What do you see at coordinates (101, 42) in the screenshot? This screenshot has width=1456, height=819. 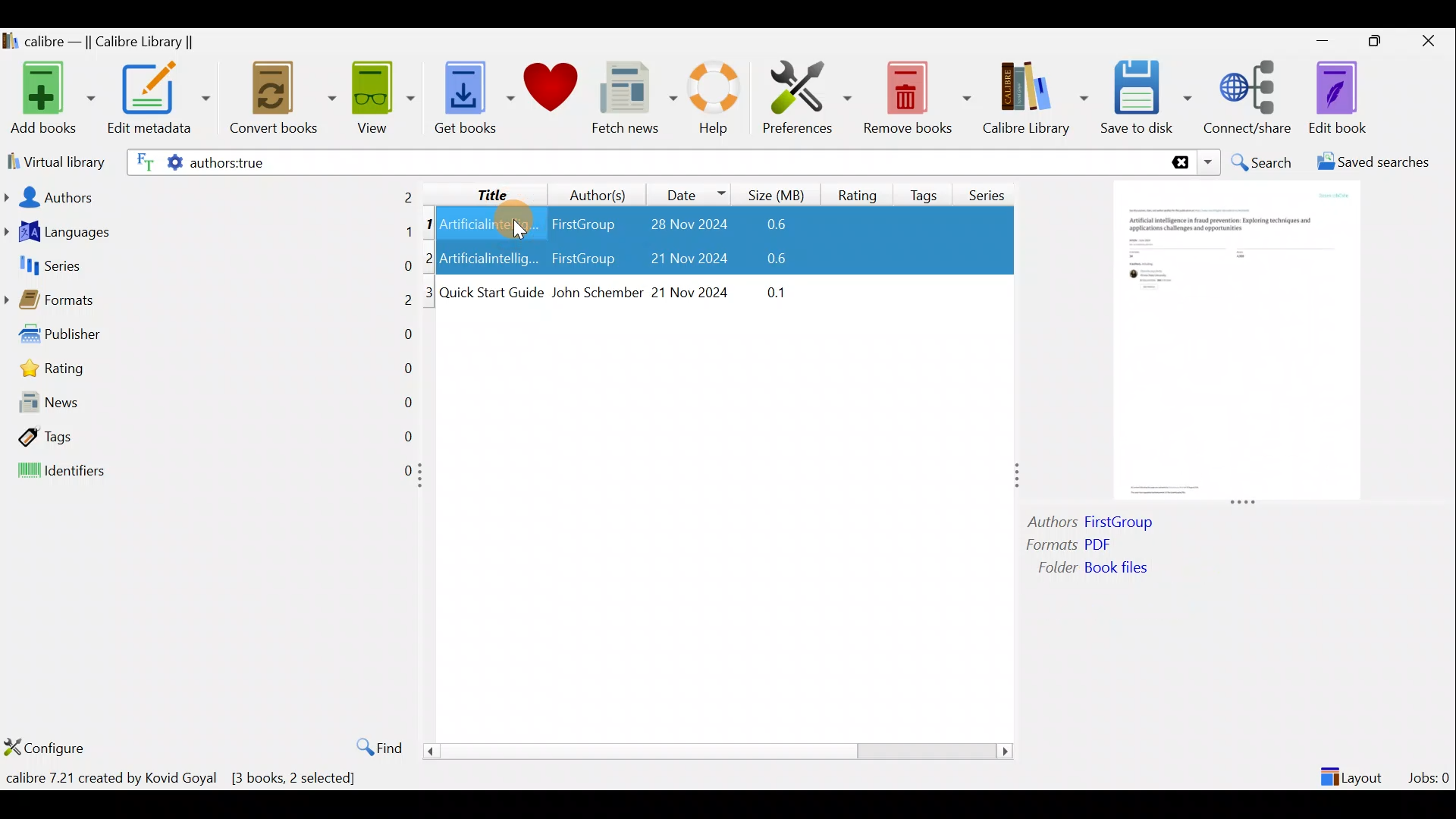 I see `calibre — || Calibre Library ||` at bounding box center [101, 42].